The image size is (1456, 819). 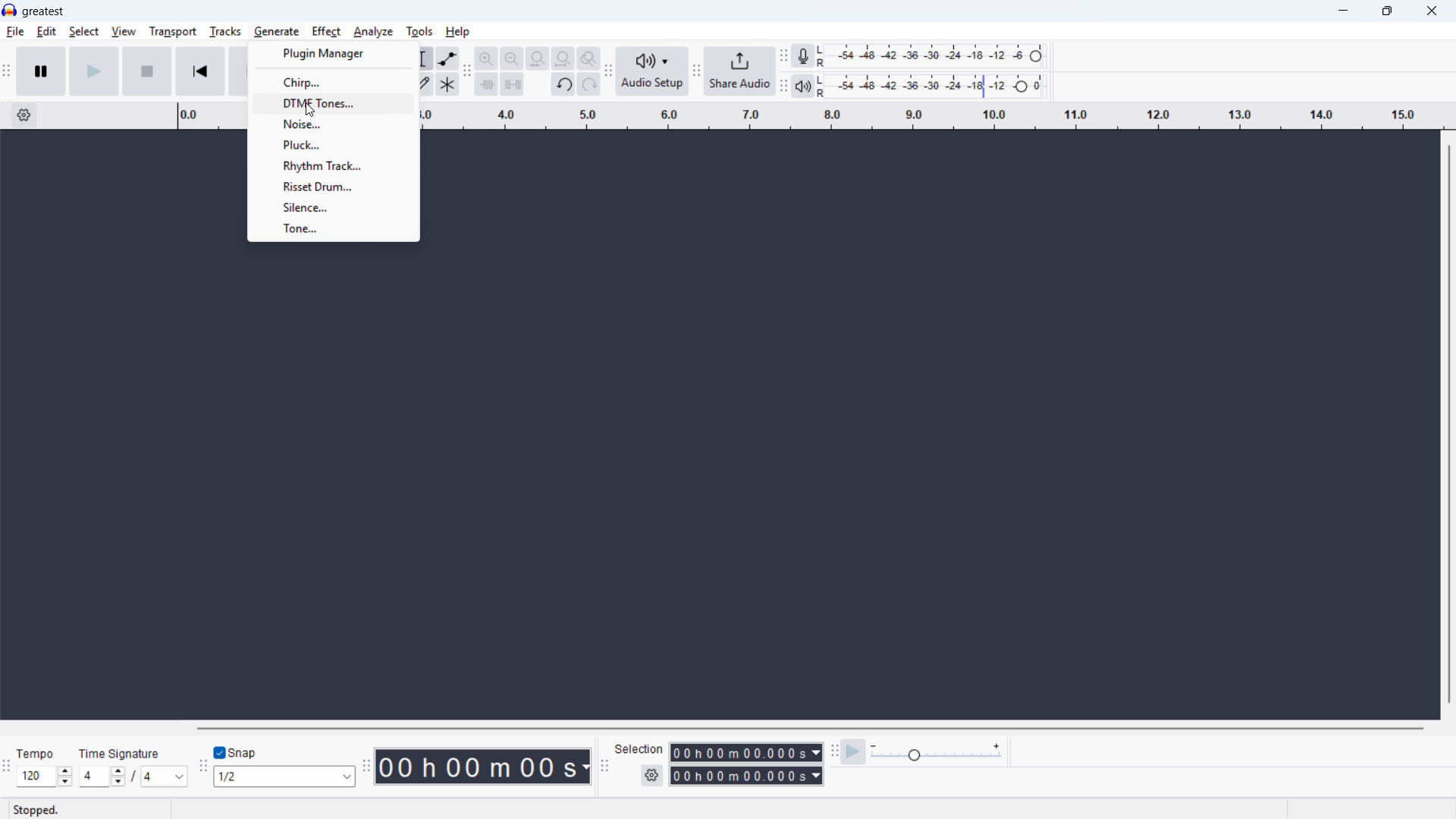 I want to click on Pluck , so click(x=331, y=145).